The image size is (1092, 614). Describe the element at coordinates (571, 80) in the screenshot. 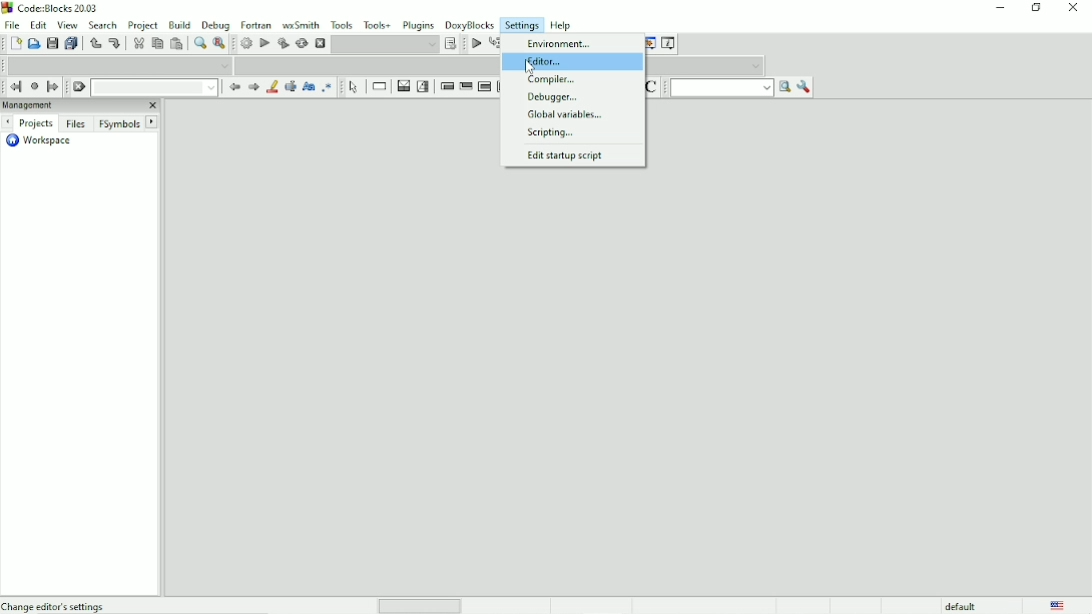

I see `Compiler` at that location.